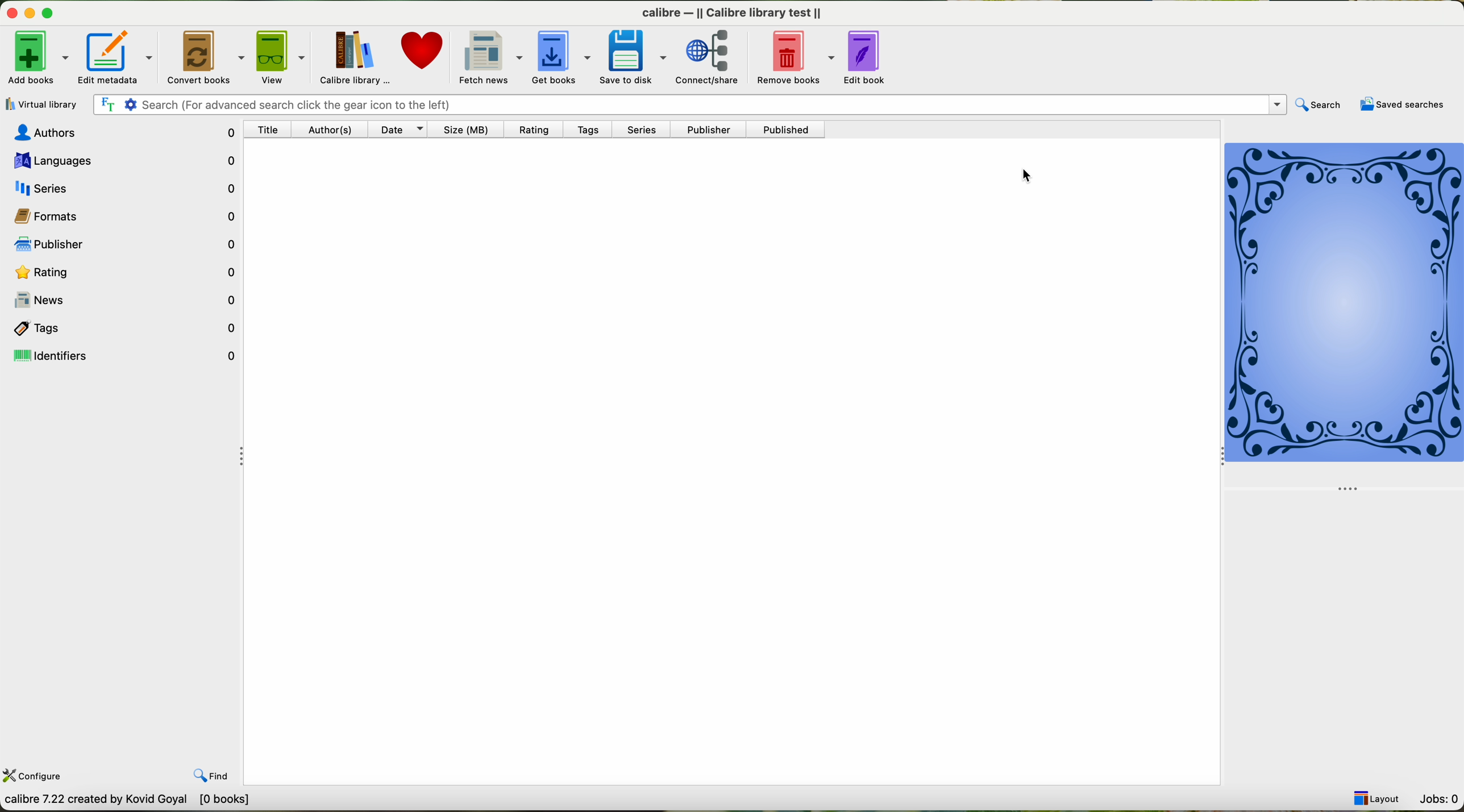 This screenshot has height=812, width=1464. What do you see at coordinates (1029, 176) in the screenshot?
I see `cursor` at bounding box center [1029, 176].